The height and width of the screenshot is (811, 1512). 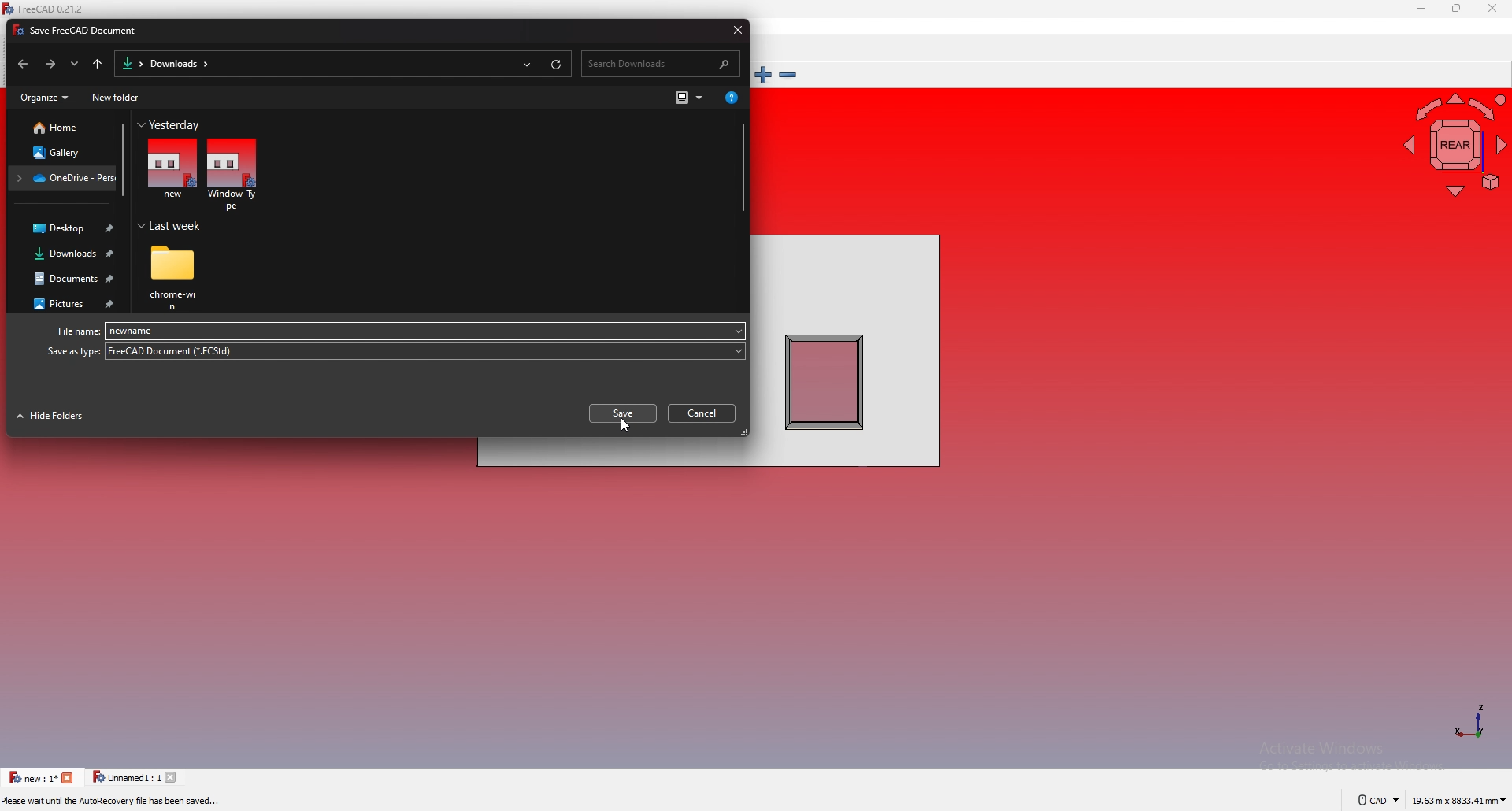 I want to click on file name, so click(x=426, y=331).